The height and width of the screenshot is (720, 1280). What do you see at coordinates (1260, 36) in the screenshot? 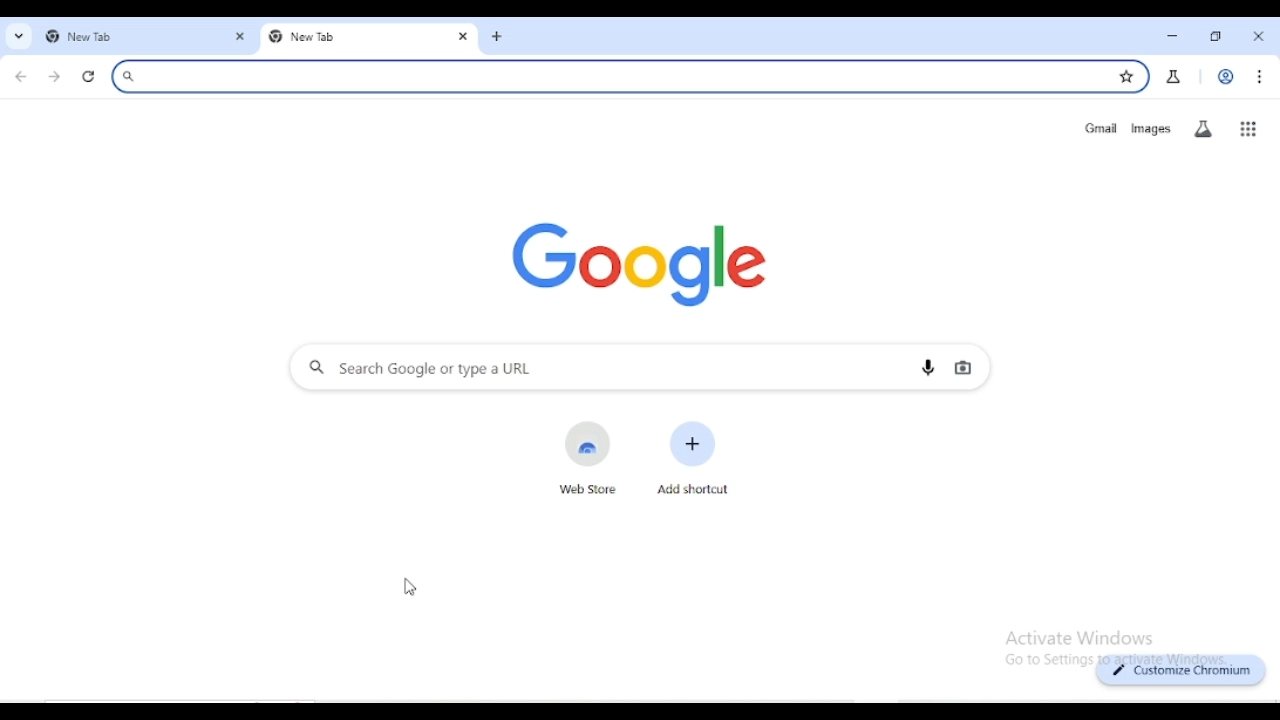
I see `close` at bounding box center [1260, 36].